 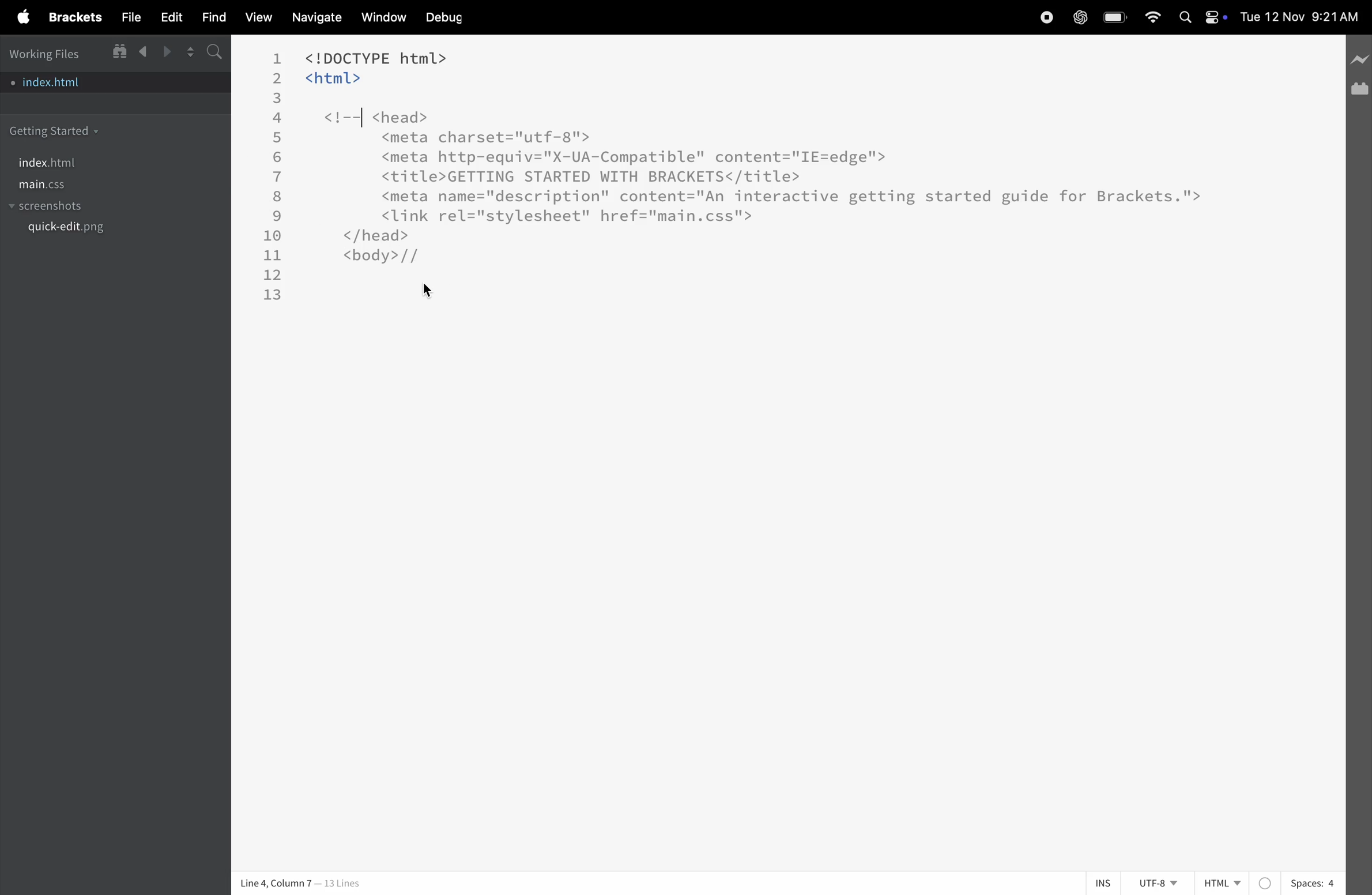 I want to click on record, so click(x=1045, y=17).